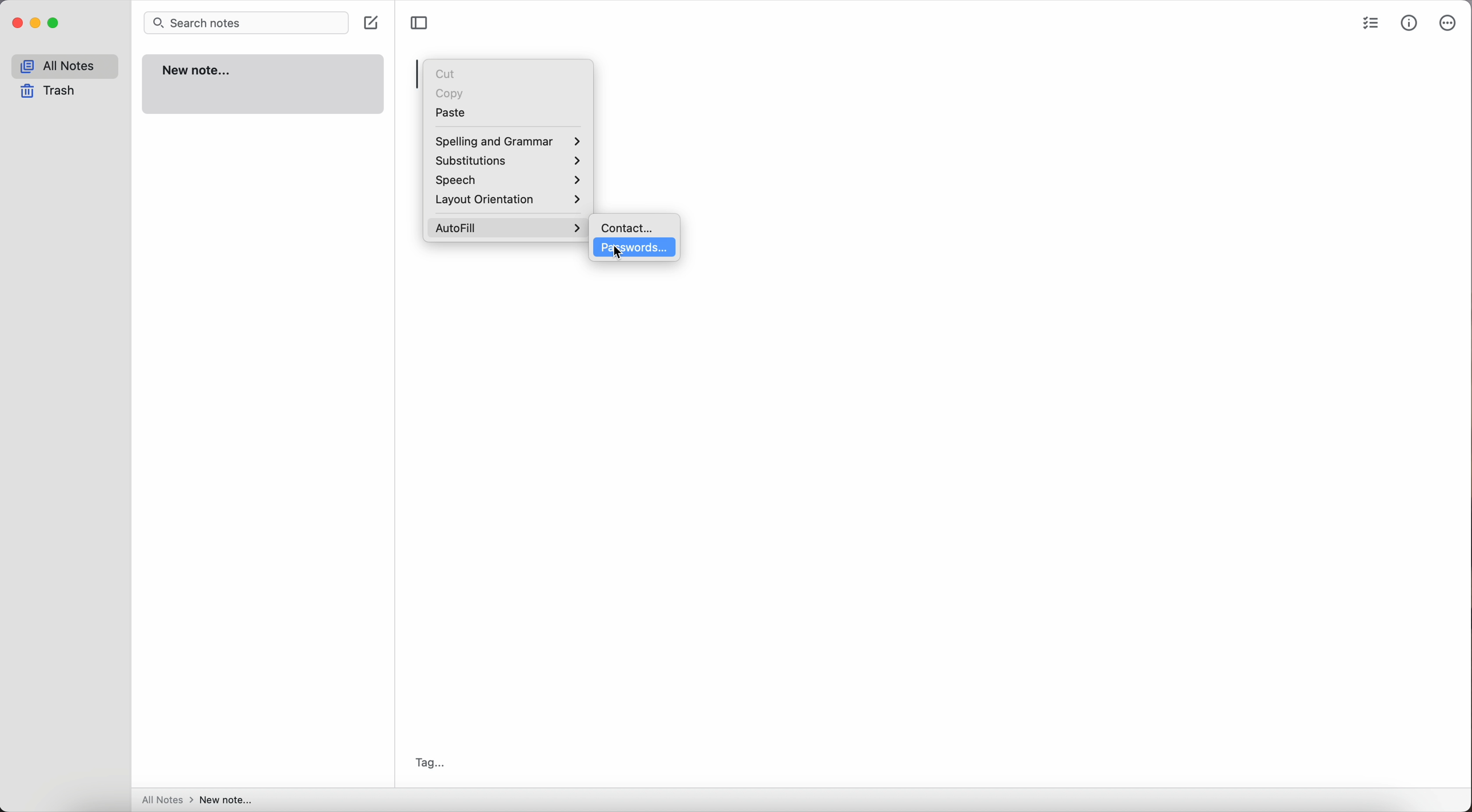 This screenshot has height=812, width=1472. I want to click on create note, so click(374, 23).